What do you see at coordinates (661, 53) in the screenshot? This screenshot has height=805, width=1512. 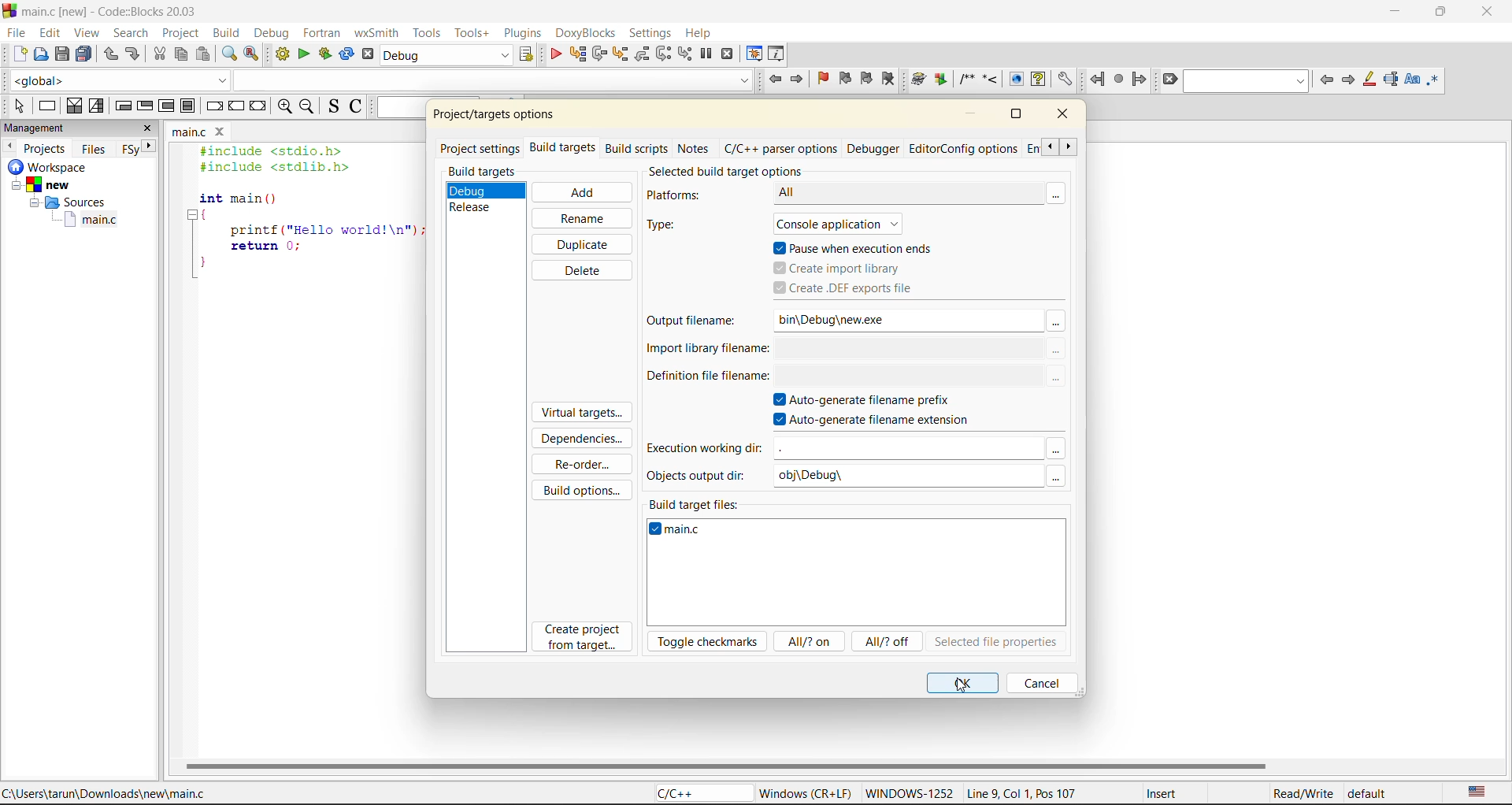 I see `next instruction` at bounding box center [661, 53].